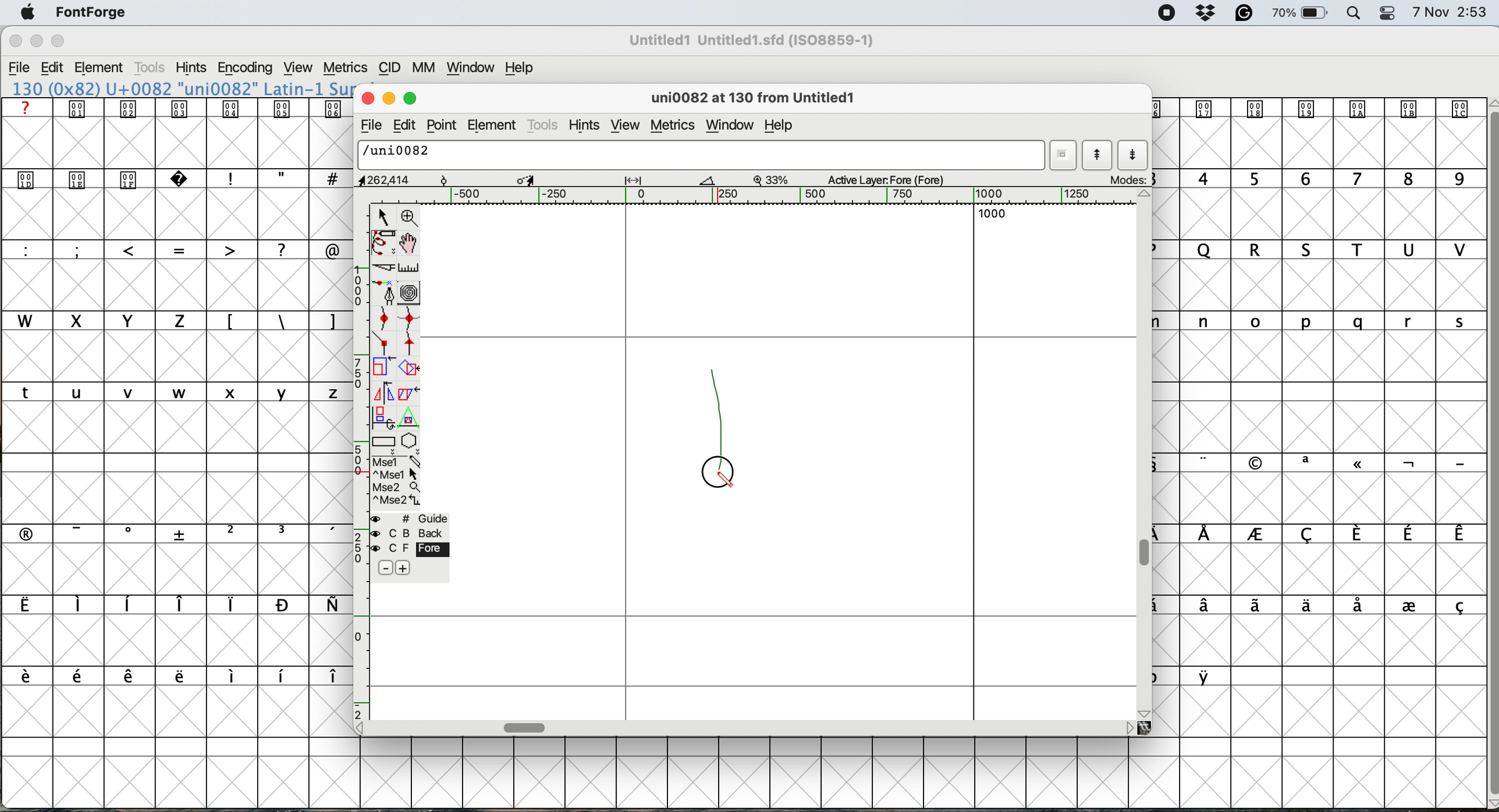  What do you see at coordinates (1148, 552) in the screenshot?
I see `vertical scroll bar` at bounding box center [1148, 552].